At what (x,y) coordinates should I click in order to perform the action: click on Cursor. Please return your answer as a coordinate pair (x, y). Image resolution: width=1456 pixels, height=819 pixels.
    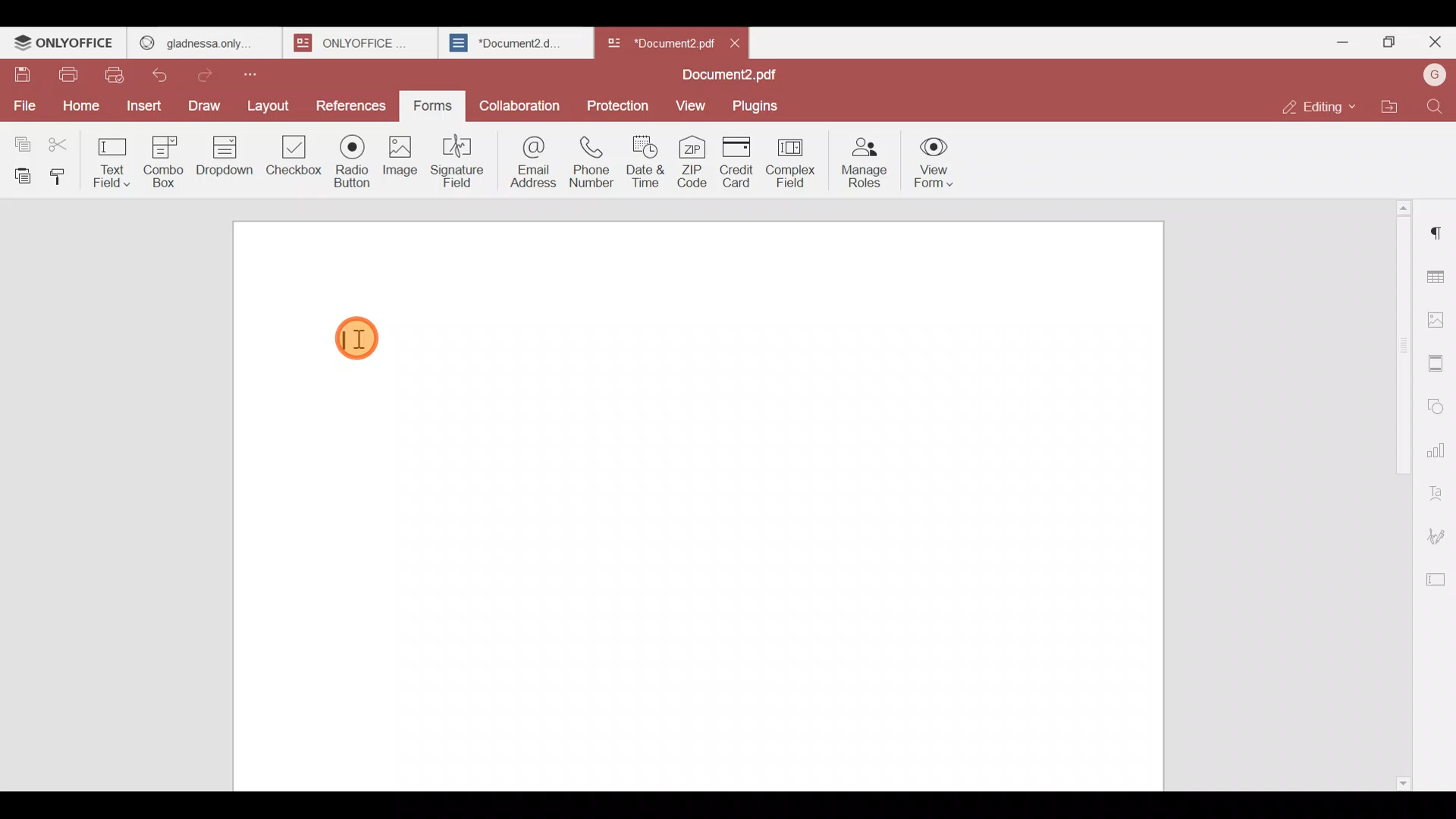
    Looking at the image, I should click on (360, 341).